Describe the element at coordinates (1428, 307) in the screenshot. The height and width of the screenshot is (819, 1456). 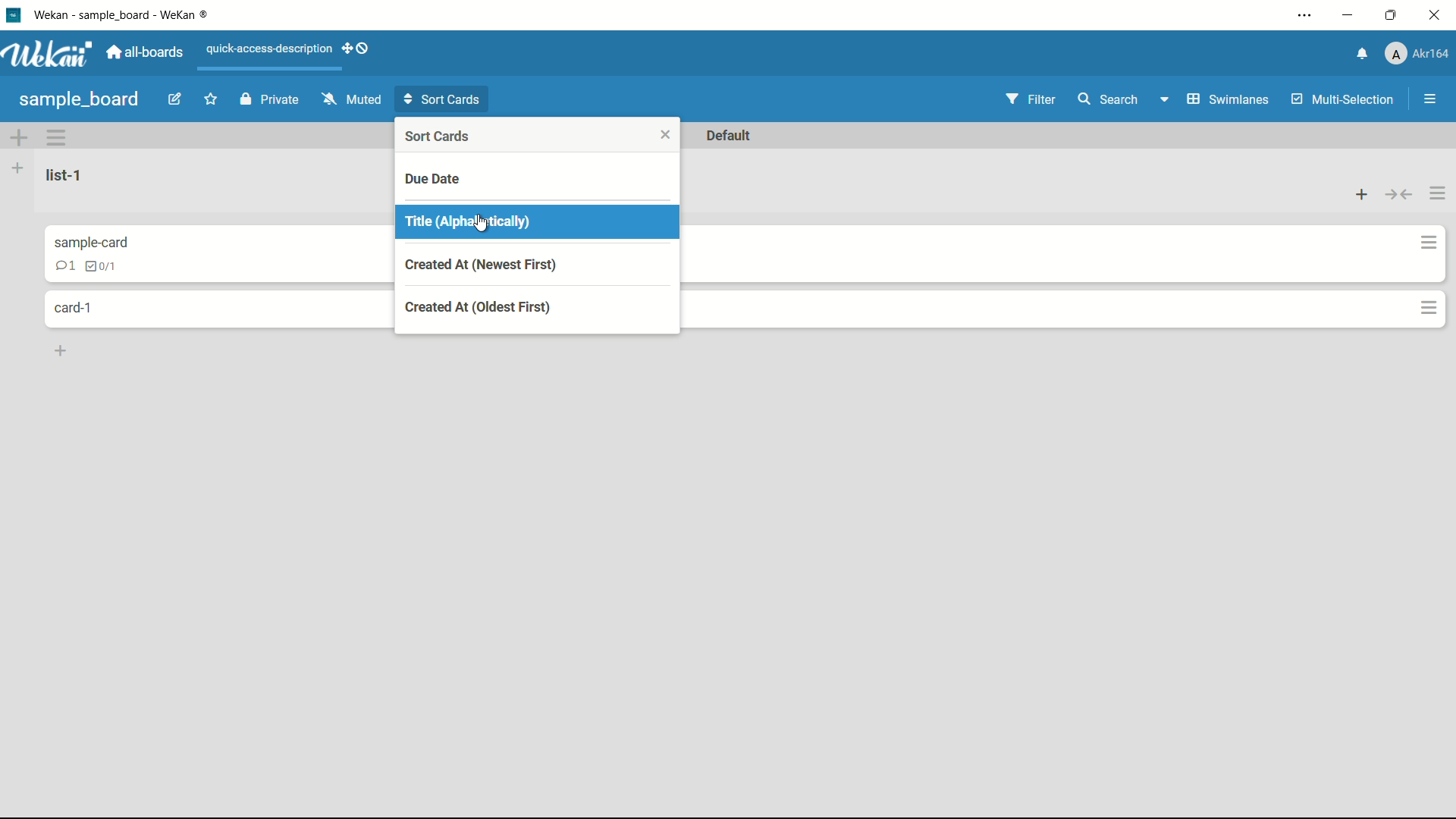
I see `card actions` at that location.